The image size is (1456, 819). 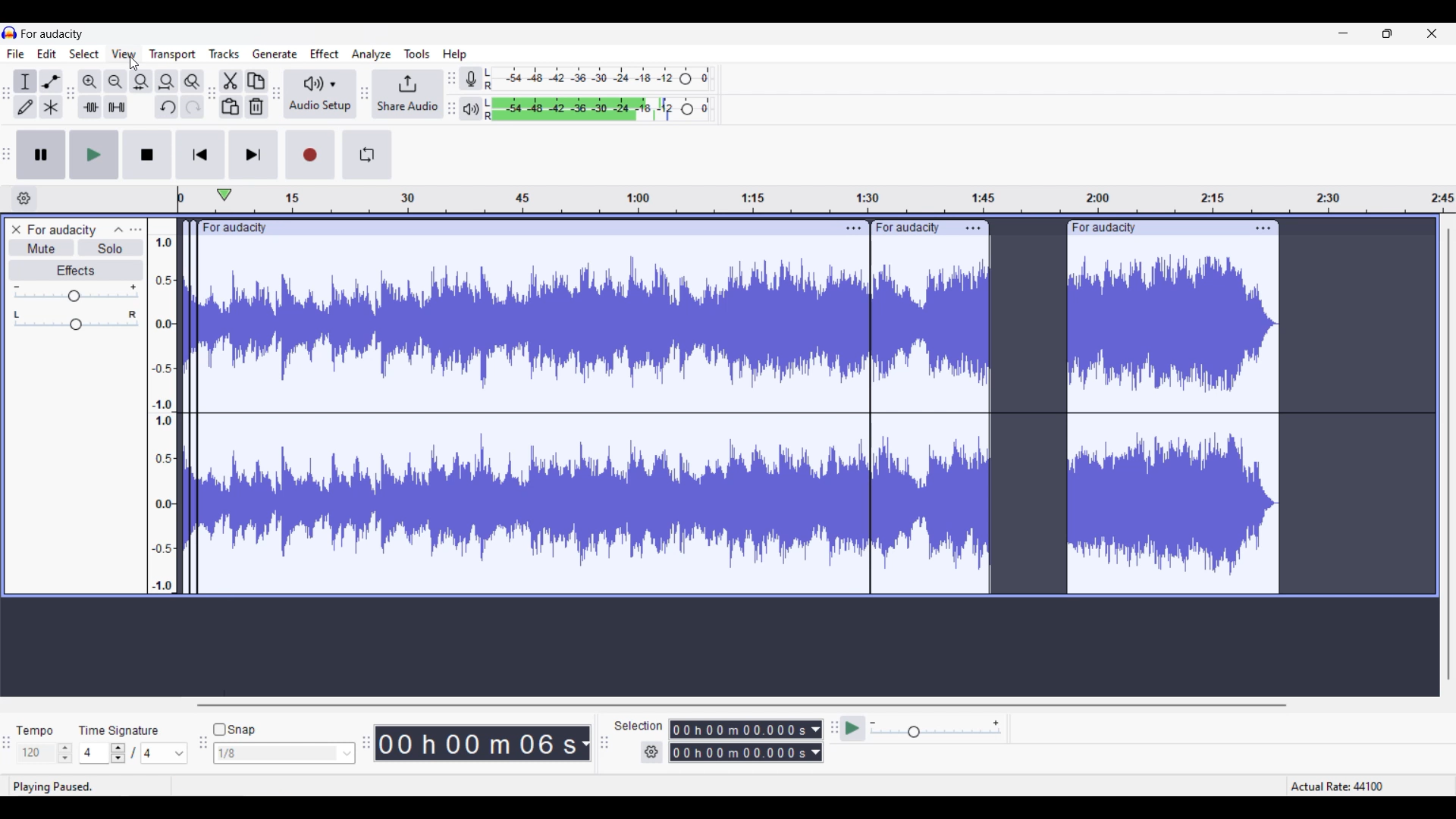 I want to click on Scale to measure sound intensity, so click(x=164, y=414).